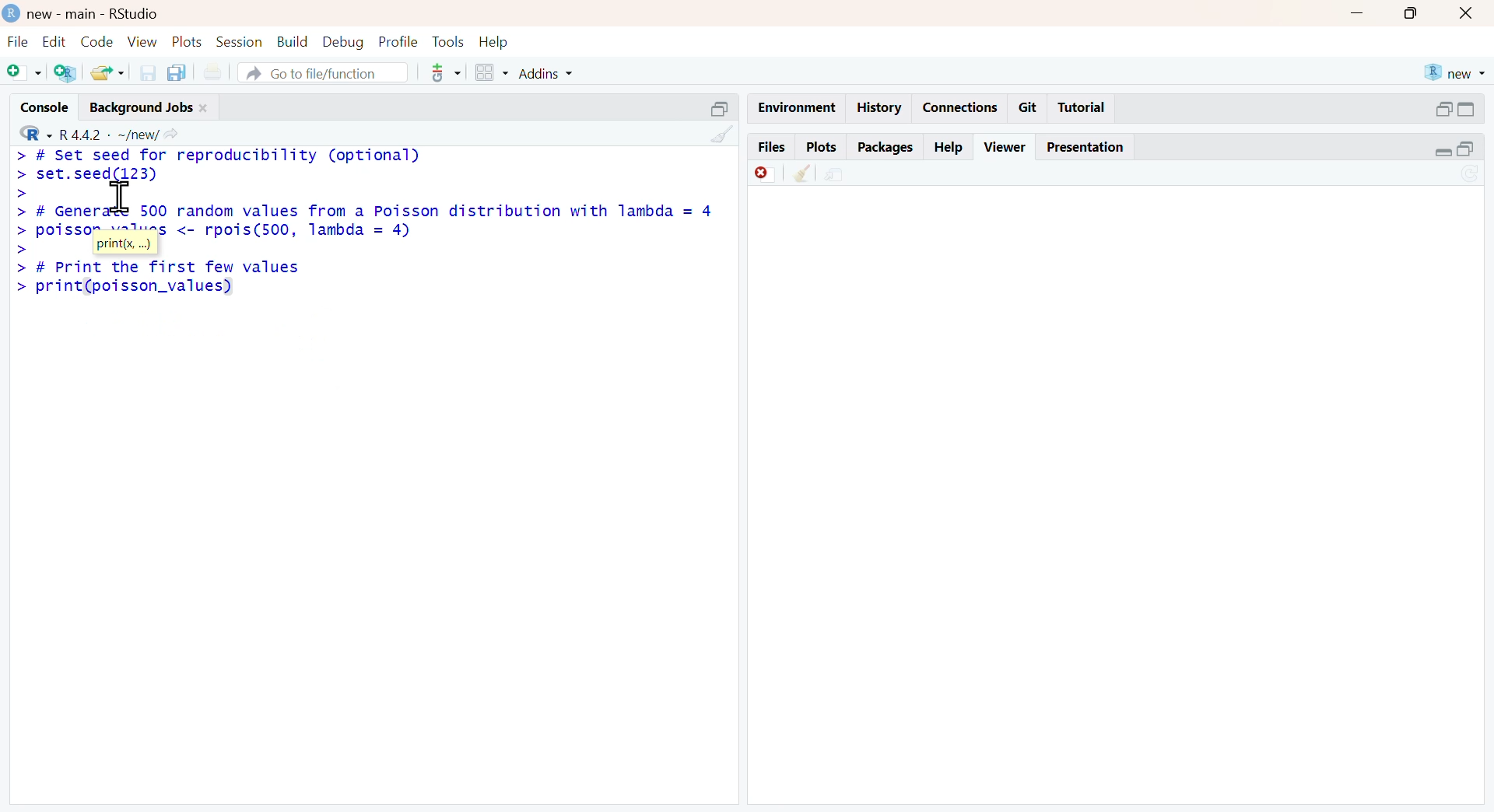  What do you see at coordinates (187, 41) in the screenshot?
I see `plots` at bounding box center [187, 41].